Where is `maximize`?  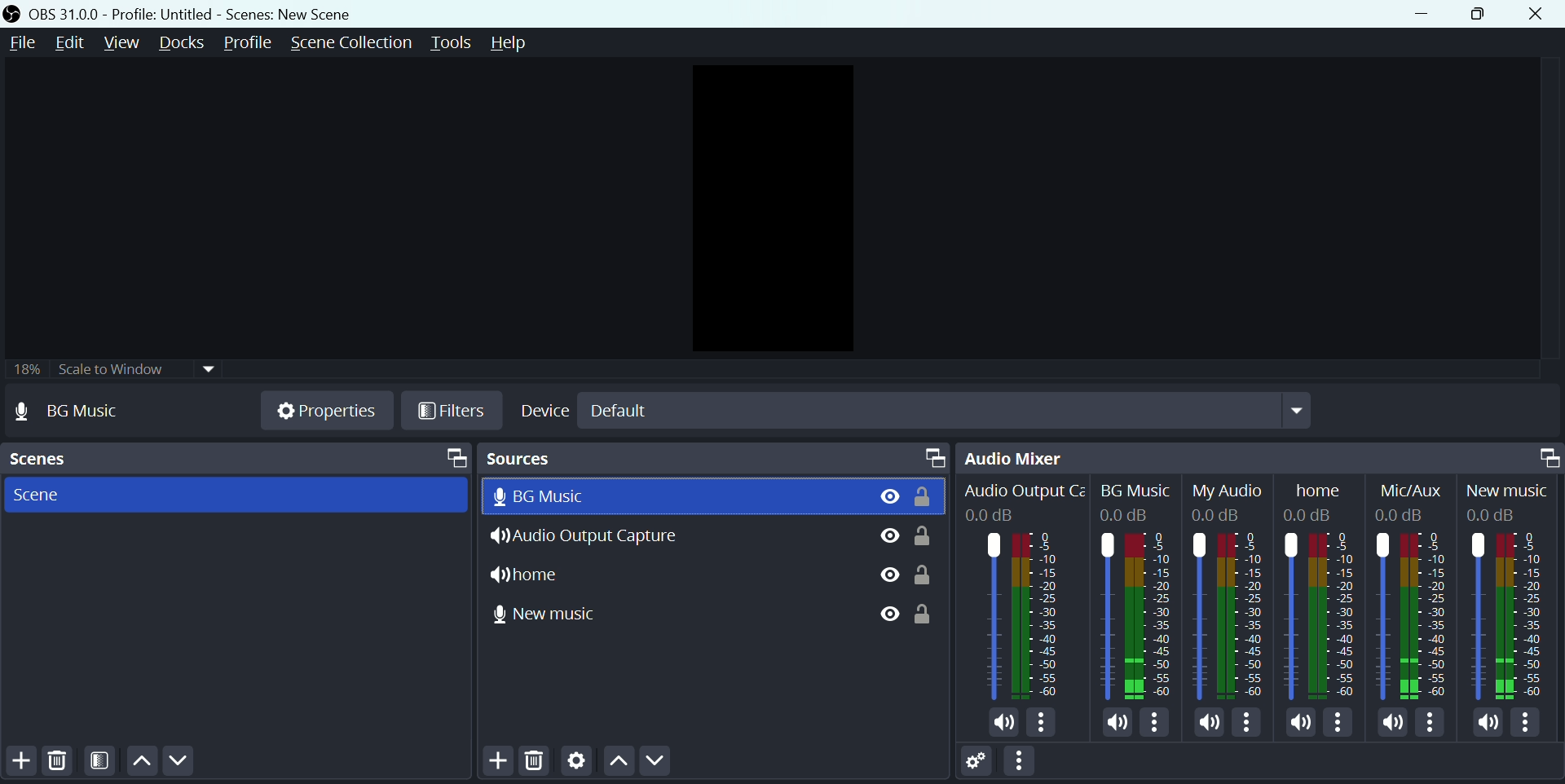 maximize is located at coordinates (1541, 457).